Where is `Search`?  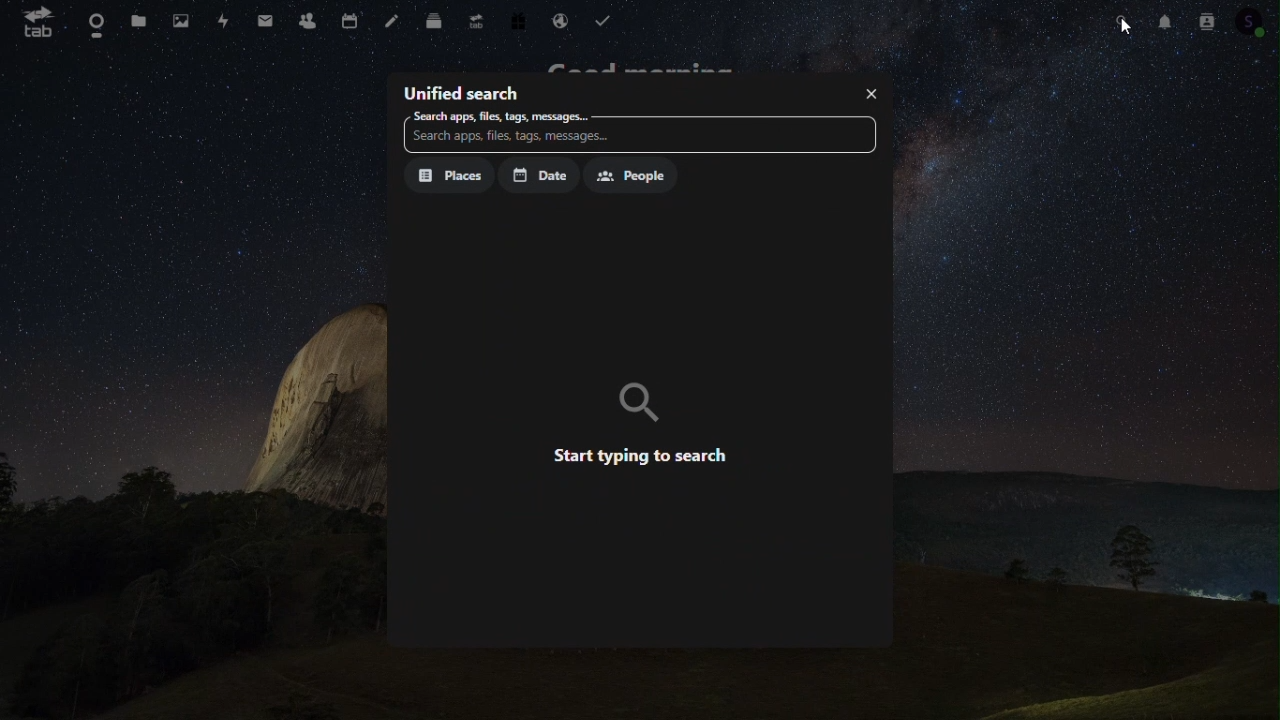 Search is located at coordinates (500, 116).